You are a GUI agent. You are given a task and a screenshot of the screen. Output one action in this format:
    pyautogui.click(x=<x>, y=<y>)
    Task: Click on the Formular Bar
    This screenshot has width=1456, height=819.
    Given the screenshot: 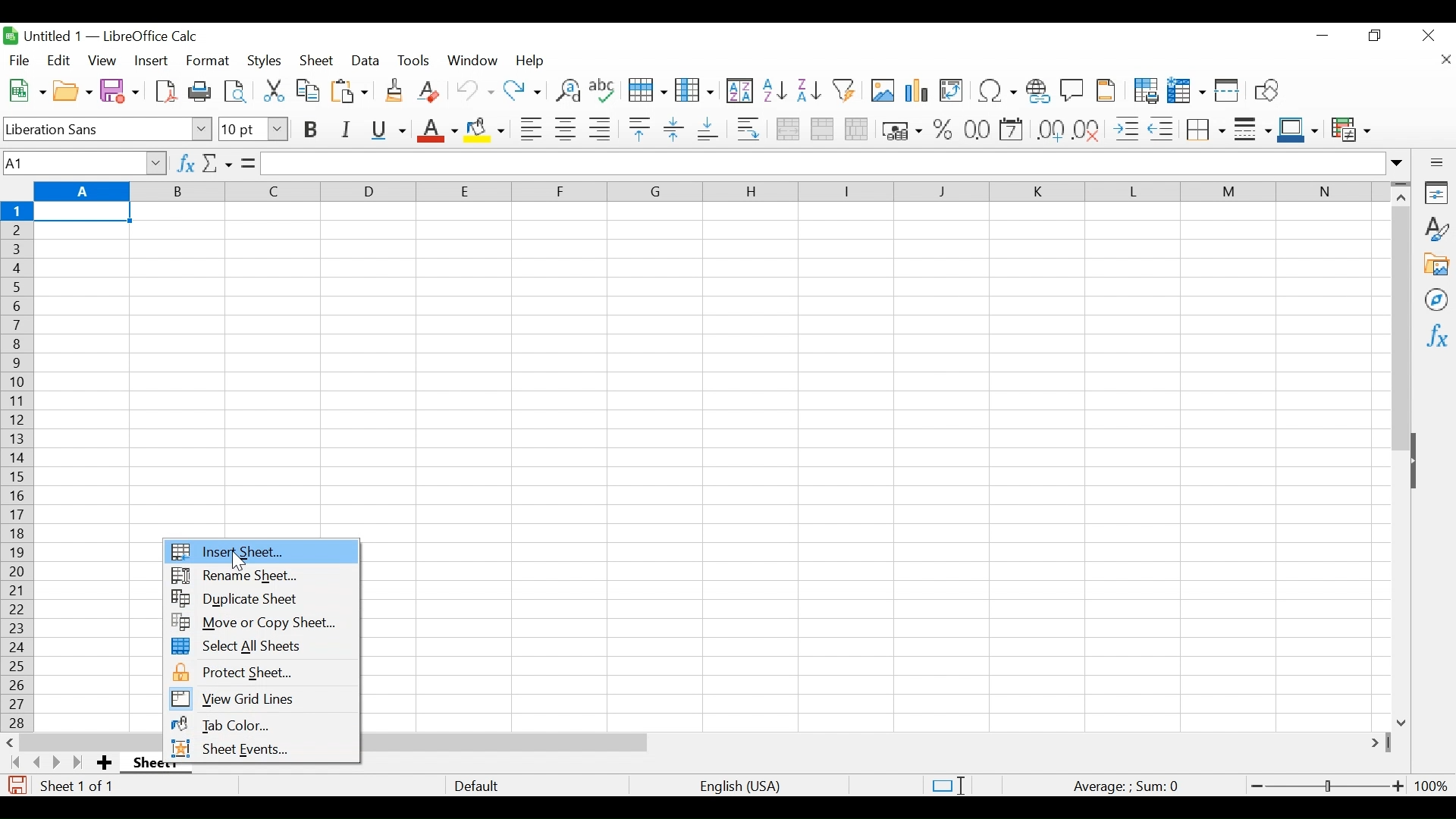 What is the action you would take?
    pyautogui.click(x=835, y=165)
    